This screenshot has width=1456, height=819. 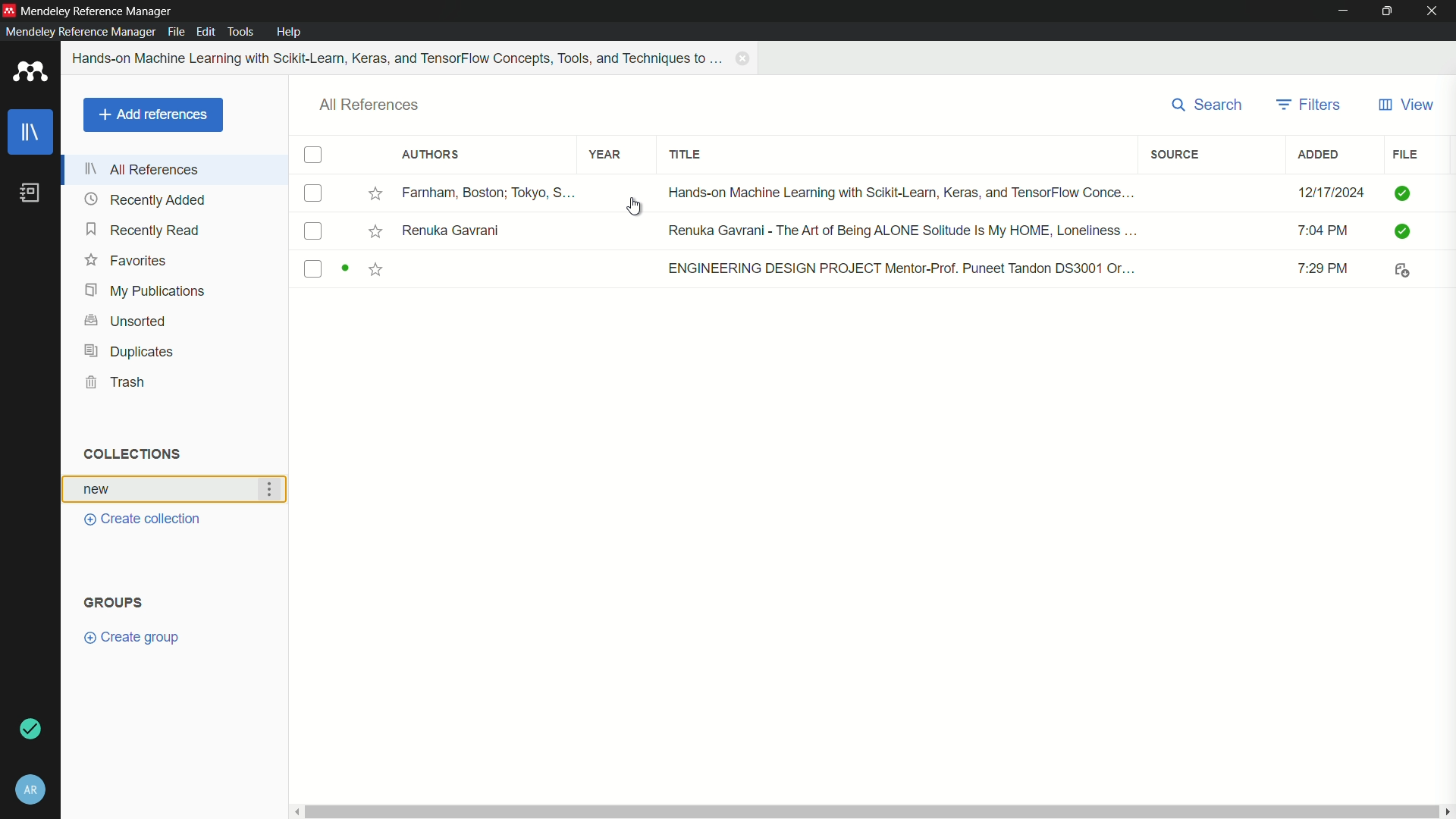 What do you see at coordinates (1436, 11) in the screenshot?
I see `close` at bounding box center [1436, 11].